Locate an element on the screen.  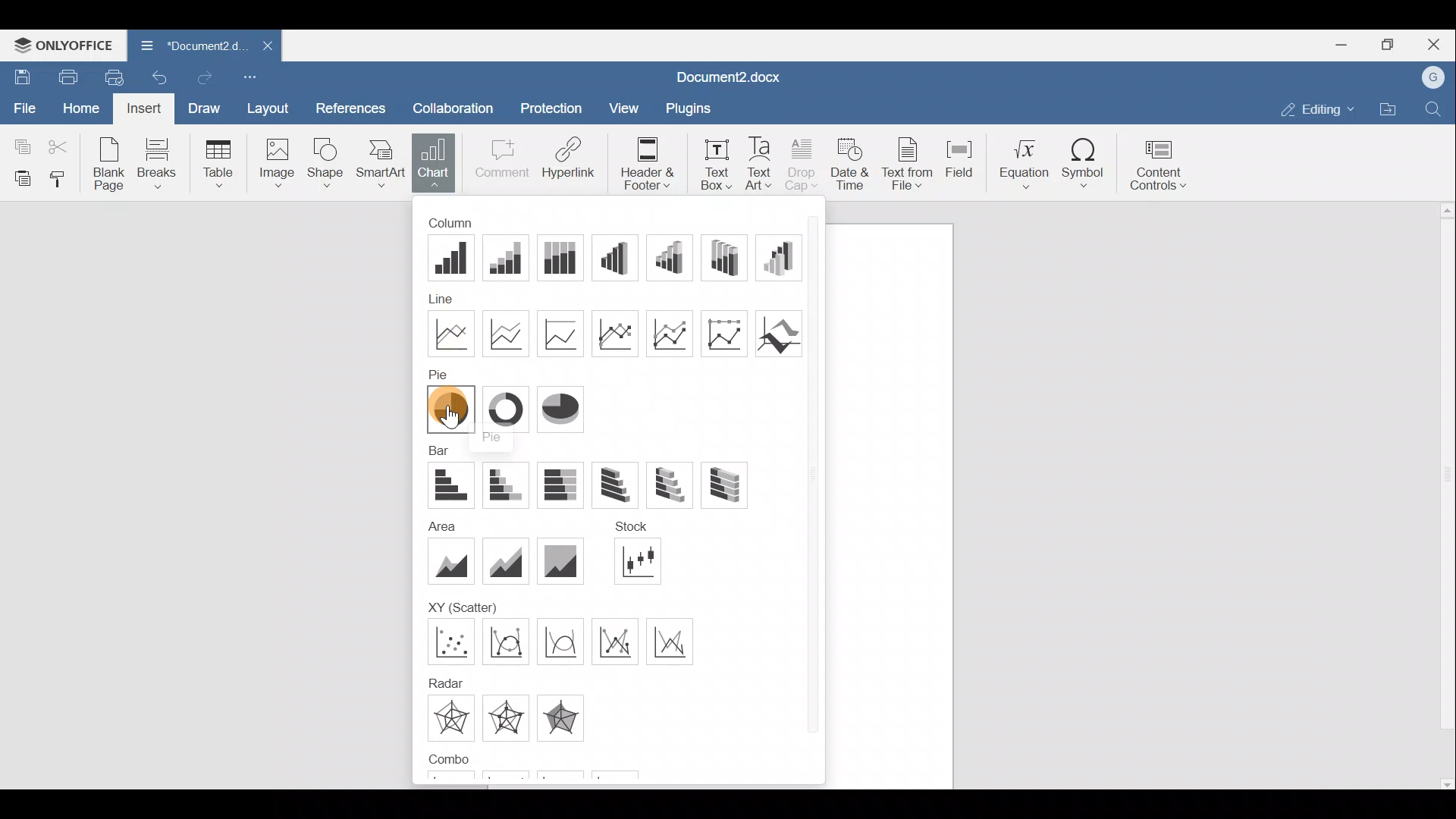
Column is located at coordinates (456, 223).